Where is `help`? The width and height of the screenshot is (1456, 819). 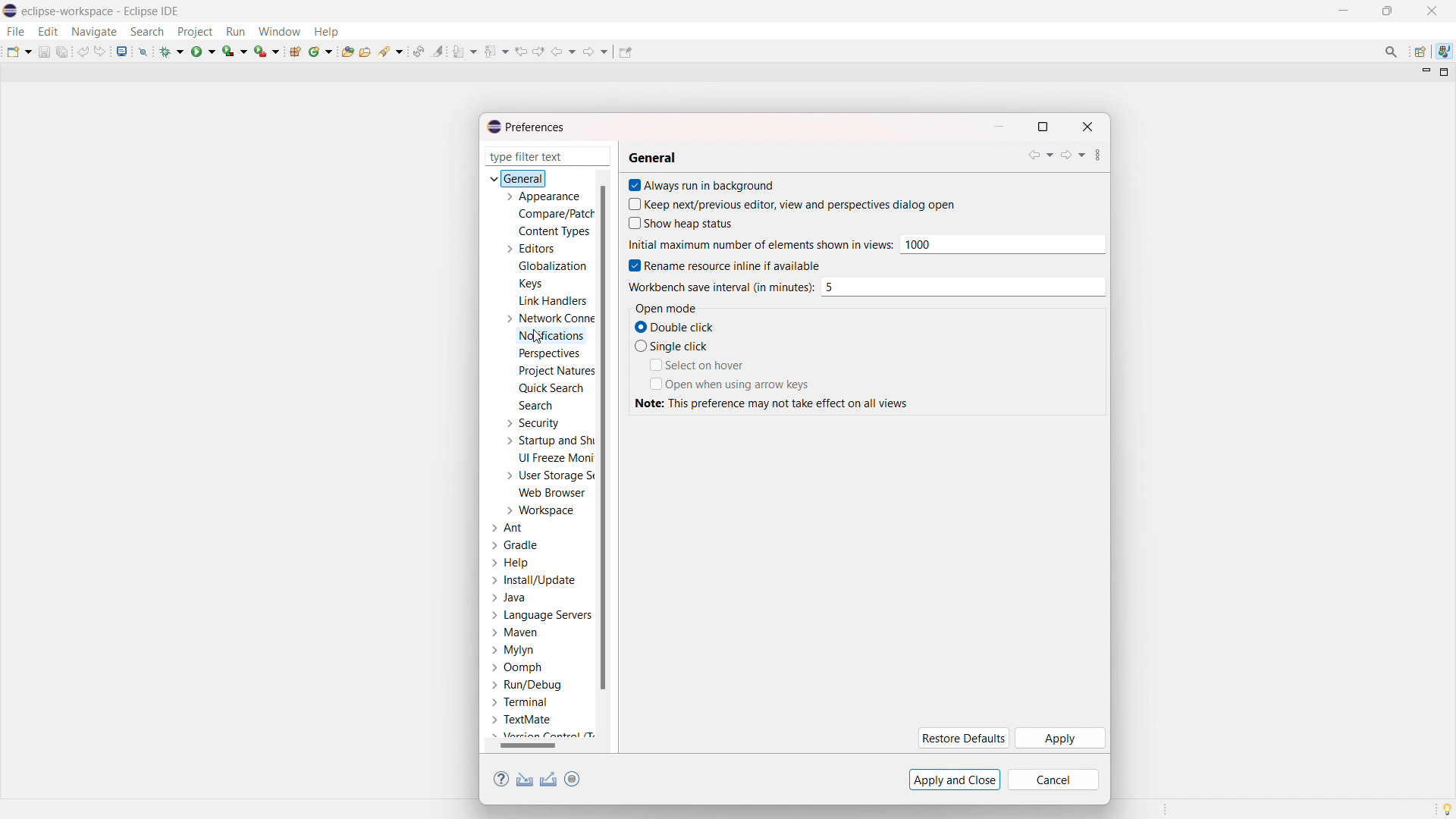 help is located at coordinates (511, 563).